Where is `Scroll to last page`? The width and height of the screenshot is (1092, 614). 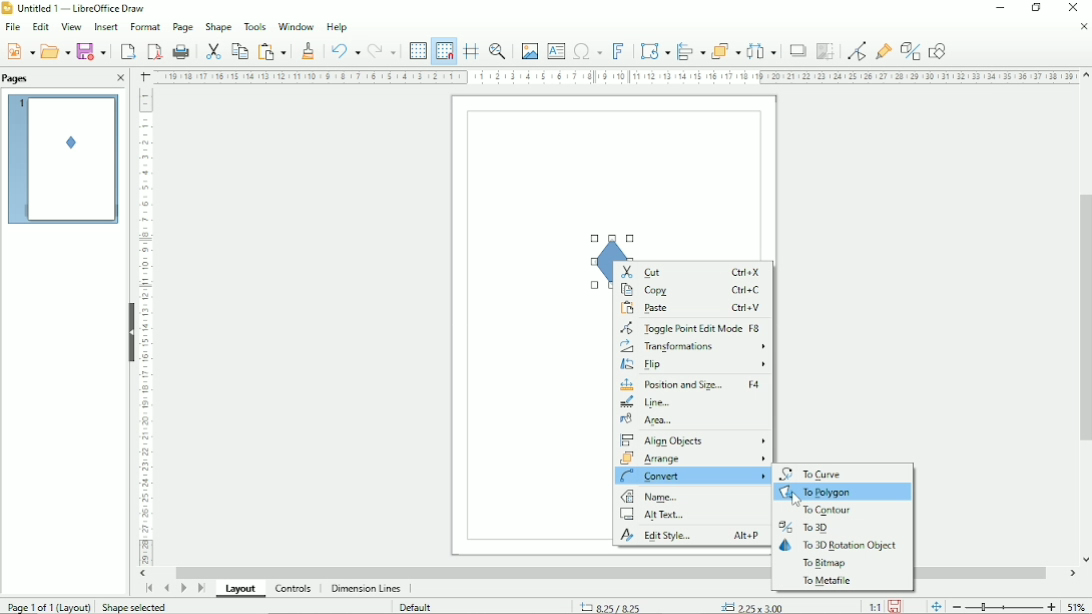 Scroll to last page is located at coordinates (200, 590).